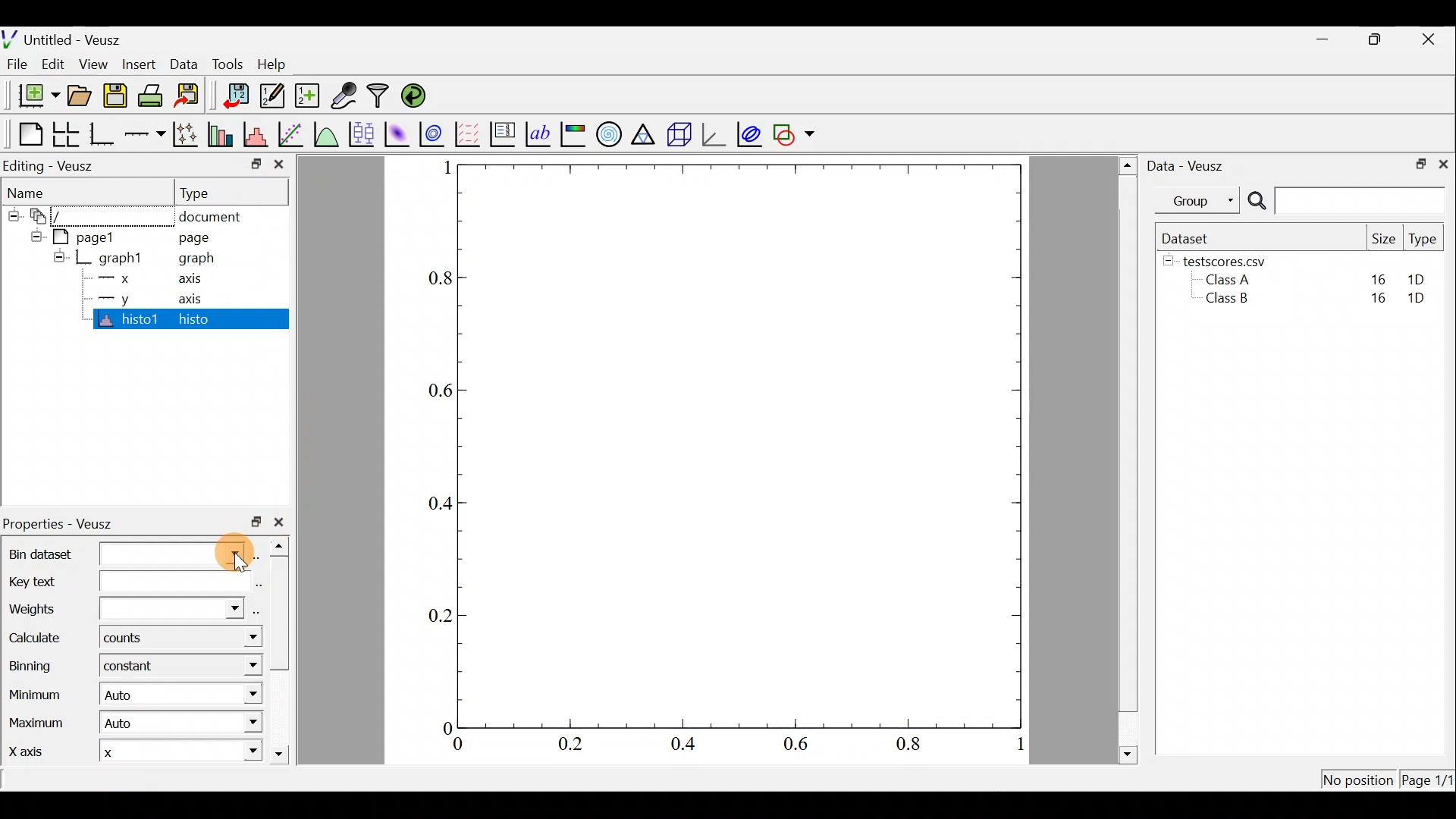  I want to click on Add an axis to the plot, so click(144, 135).